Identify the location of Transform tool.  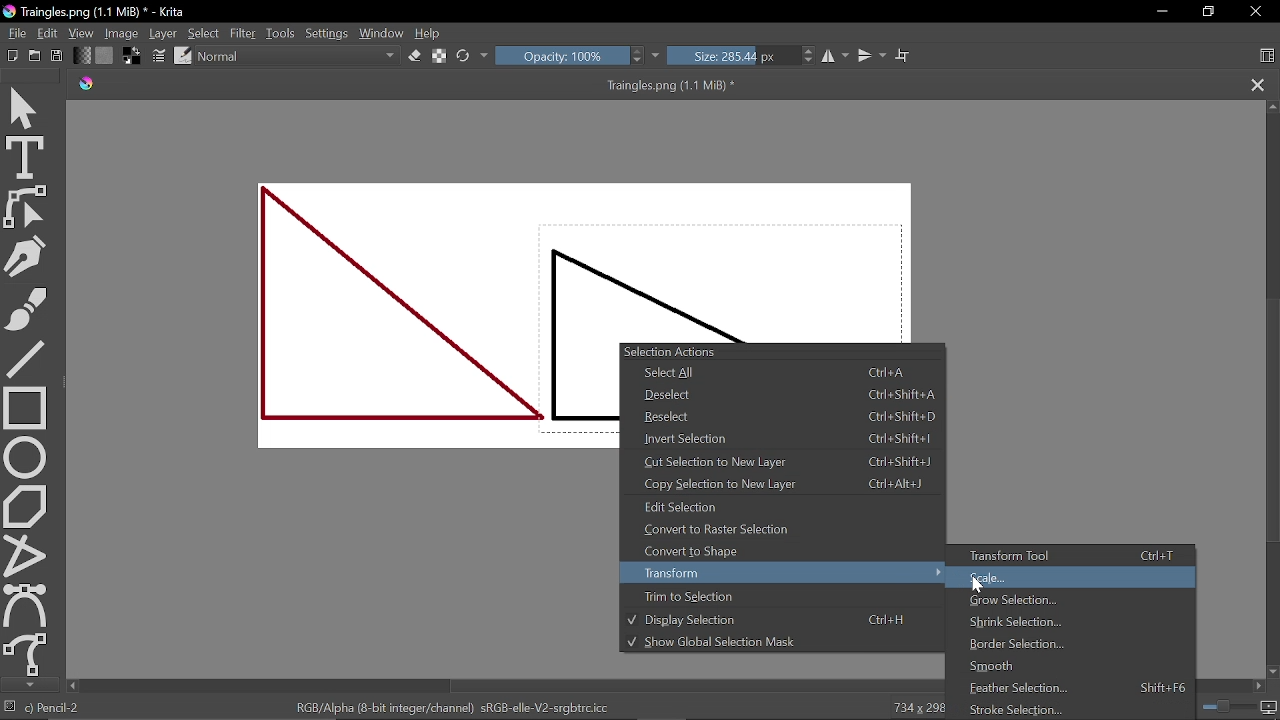
(1069, 557).